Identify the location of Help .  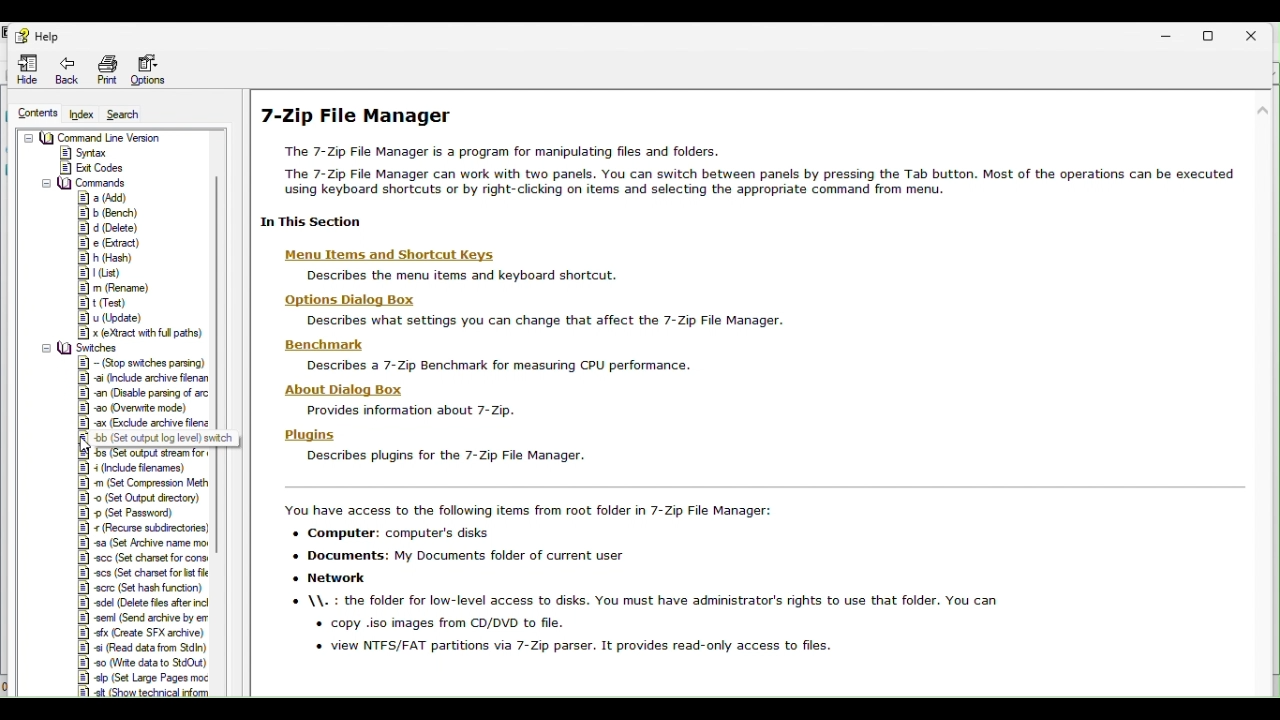
(34, 32).